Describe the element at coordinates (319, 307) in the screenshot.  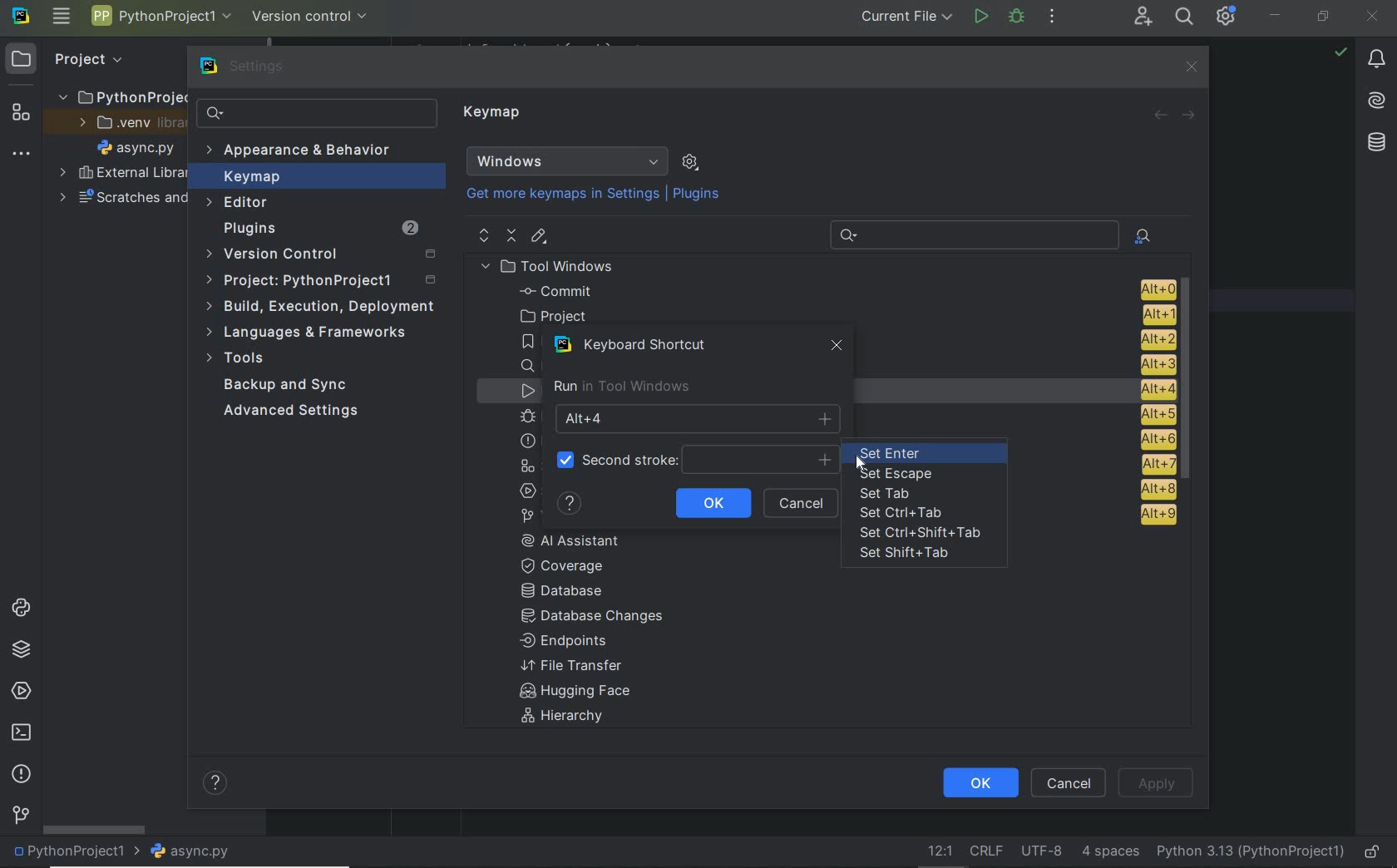
I see `build, execution, deployment` at that location.